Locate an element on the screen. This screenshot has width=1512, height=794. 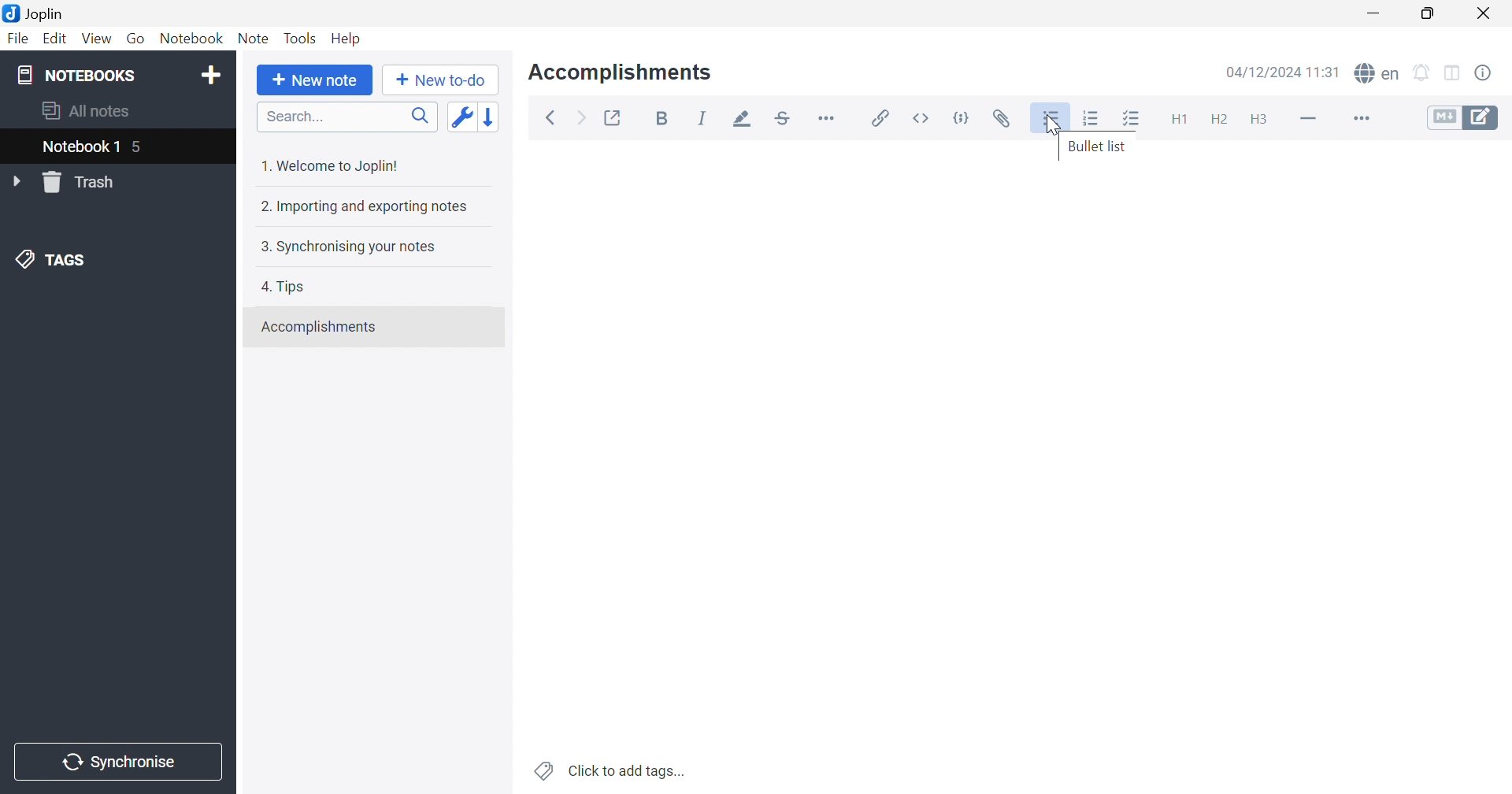
View is located at coordinates (95, 39).